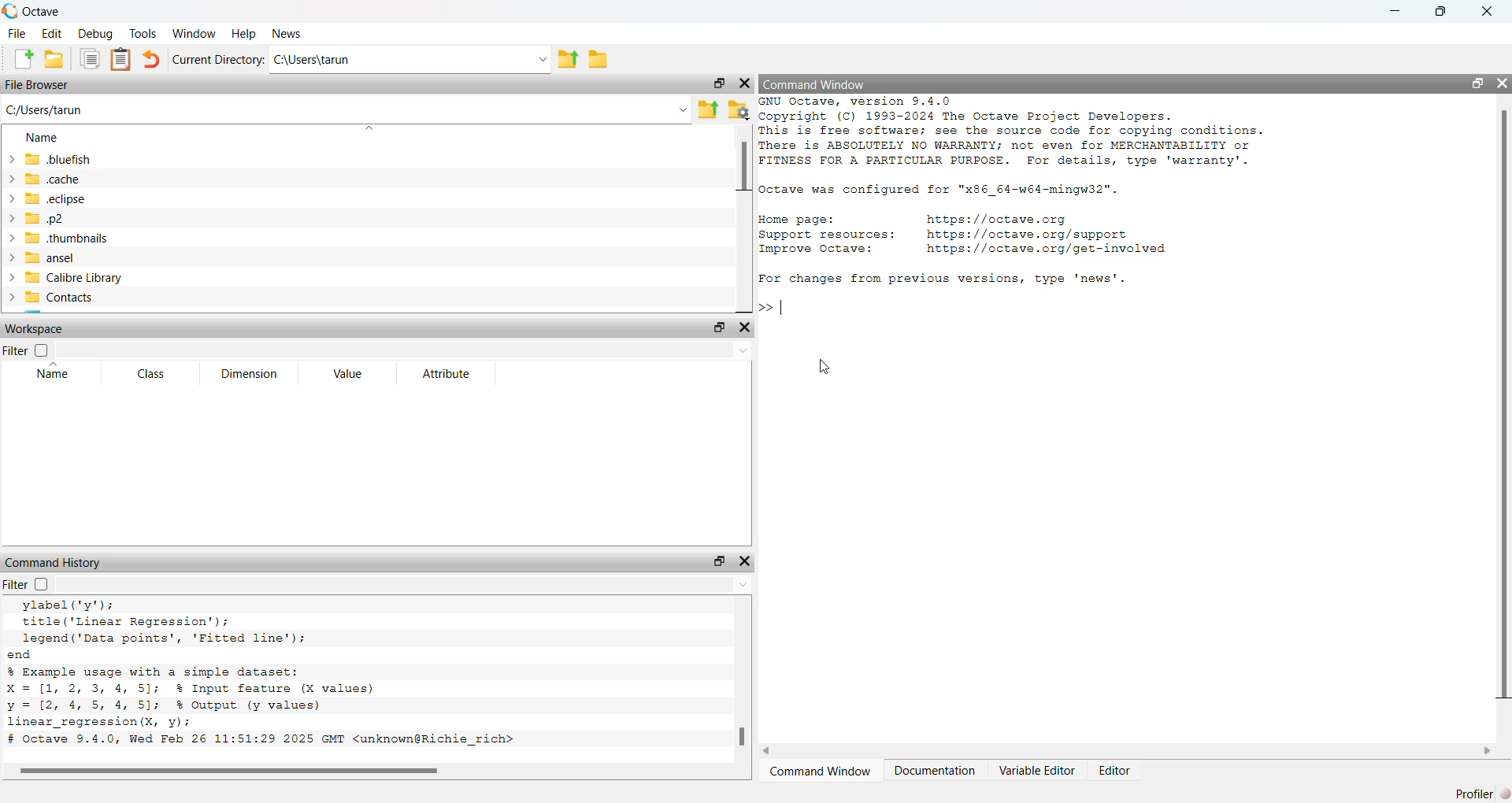 The height and width of the screenshot is (803, 1512). I want to click on news, so click(287, 35).